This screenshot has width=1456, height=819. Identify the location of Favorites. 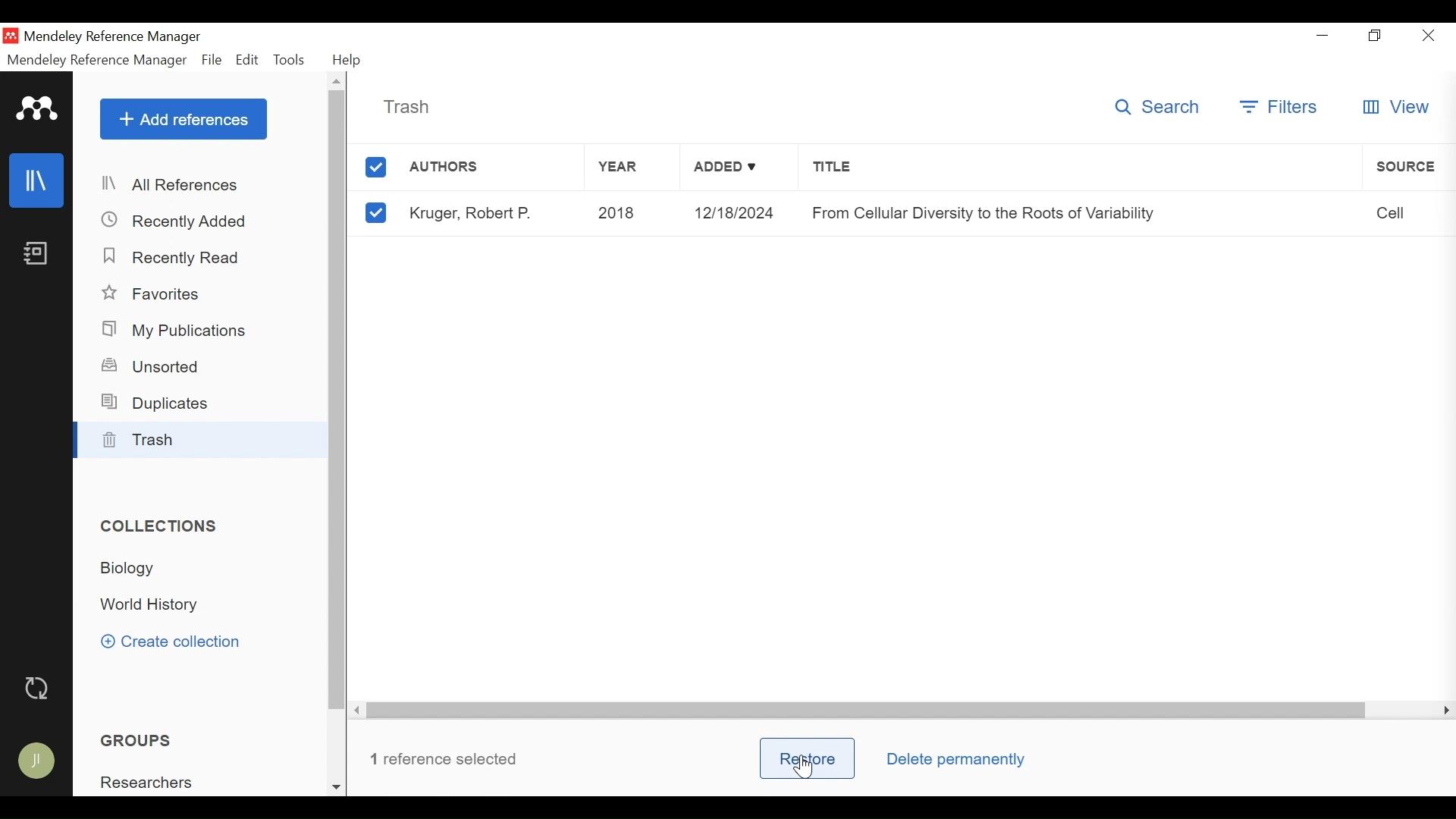
(161, 293).